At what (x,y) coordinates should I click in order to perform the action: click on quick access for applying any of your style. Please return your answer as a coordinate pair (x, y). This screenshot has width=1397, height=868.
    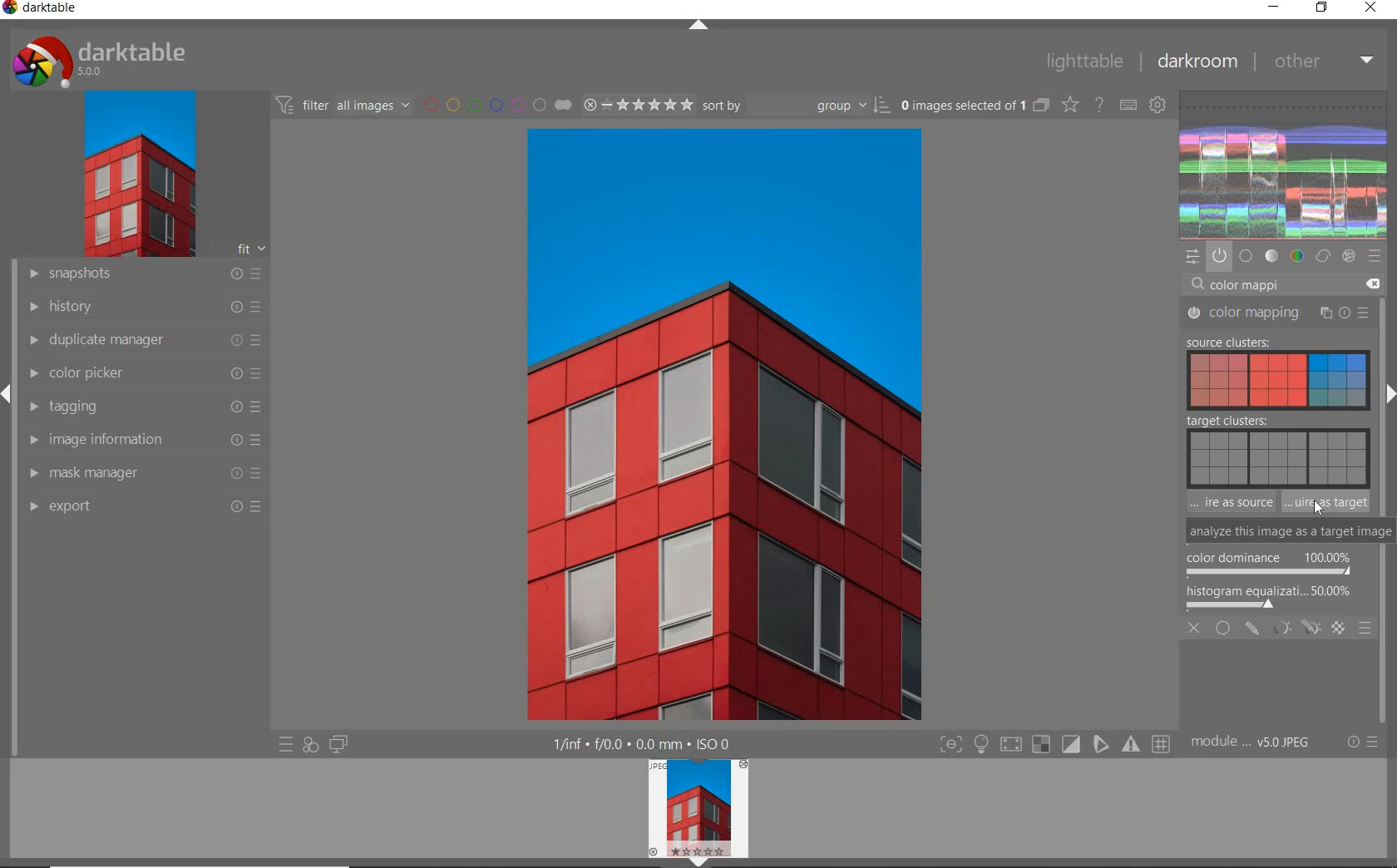
    Looking at the image, I should click on (310, 745).